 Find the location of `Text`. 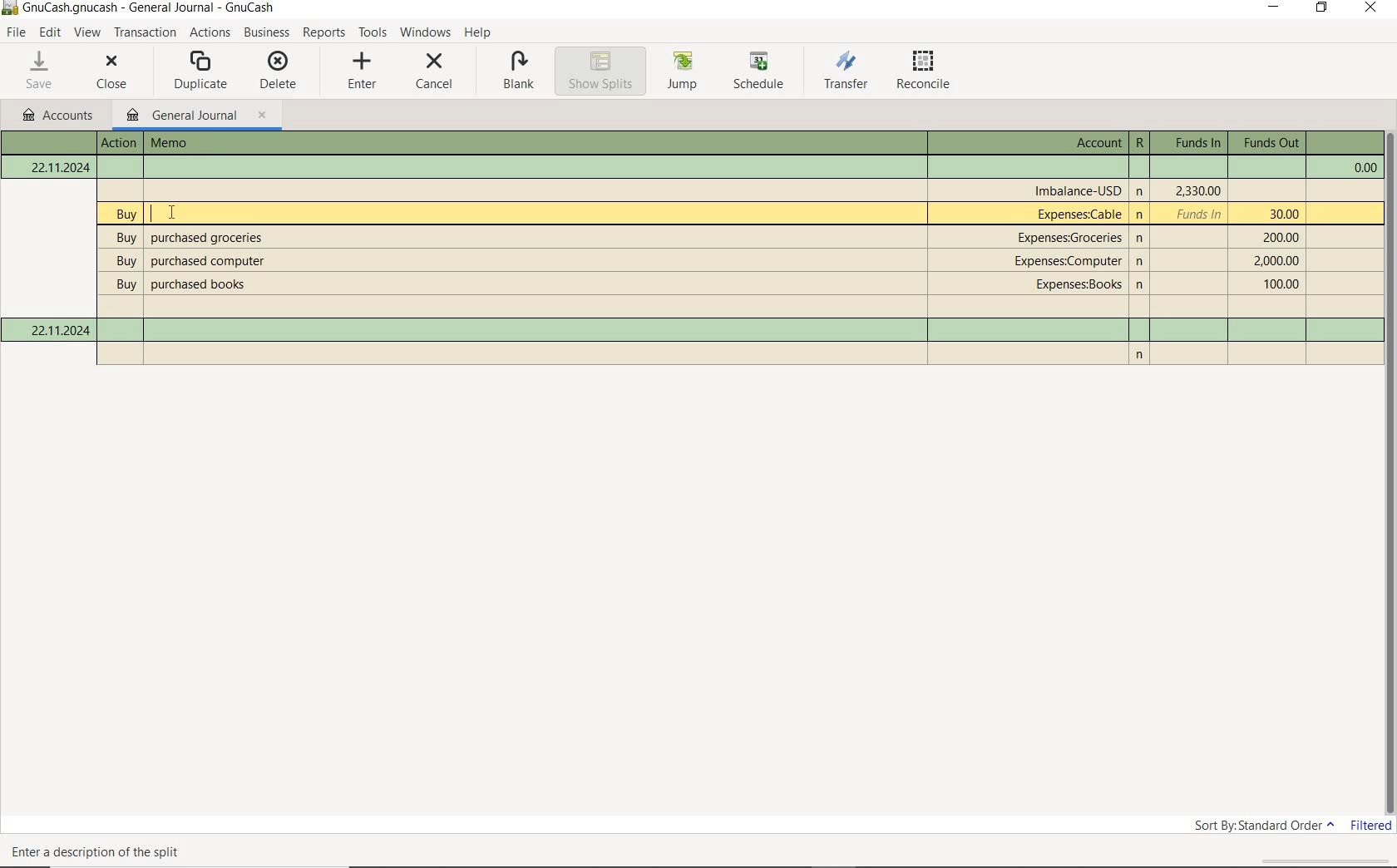

Text is located at coordinates (702, 238).